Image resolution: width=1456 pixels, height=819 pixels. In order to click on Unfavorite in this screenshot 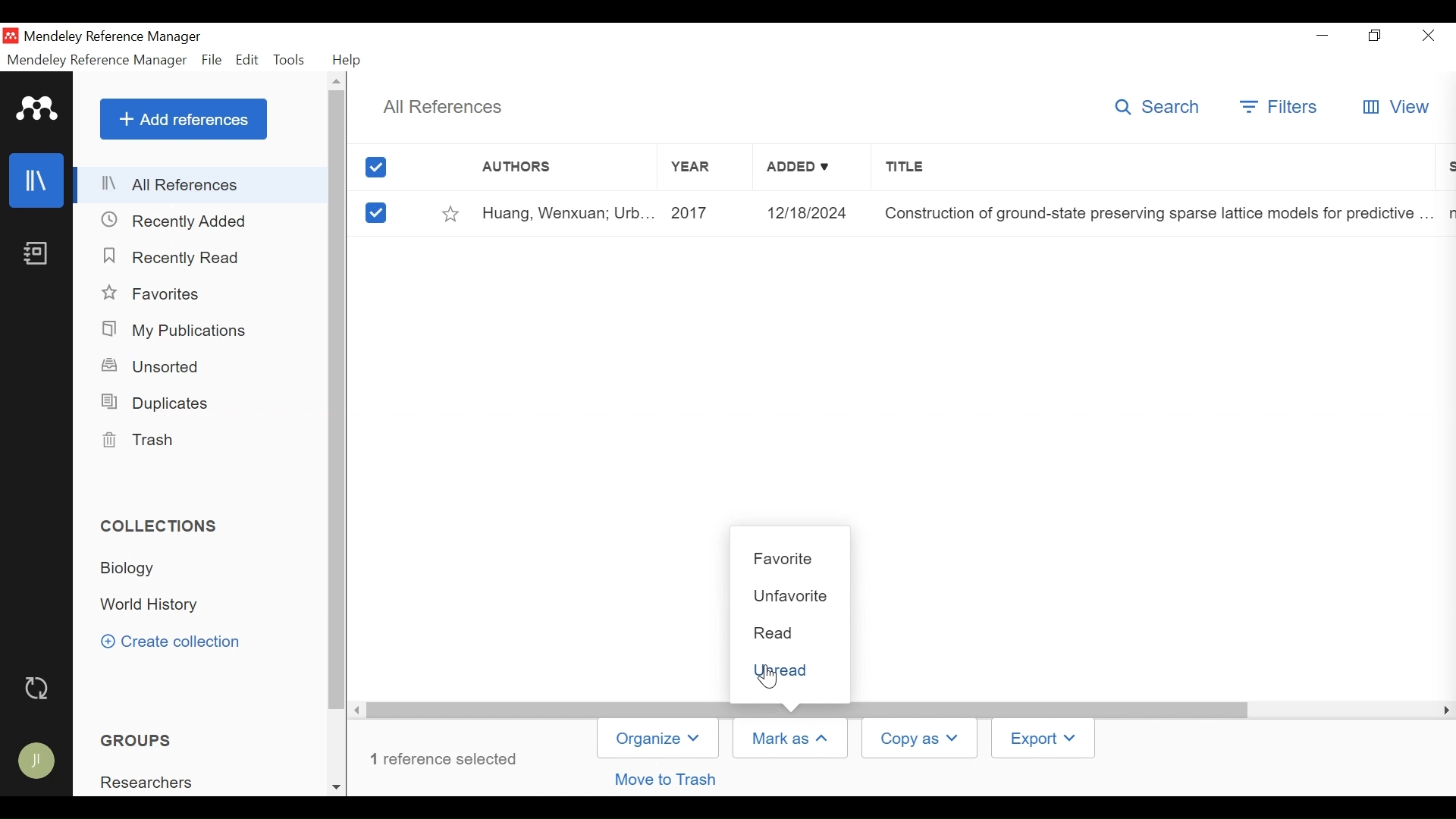, I will do `click(793, 598)`.